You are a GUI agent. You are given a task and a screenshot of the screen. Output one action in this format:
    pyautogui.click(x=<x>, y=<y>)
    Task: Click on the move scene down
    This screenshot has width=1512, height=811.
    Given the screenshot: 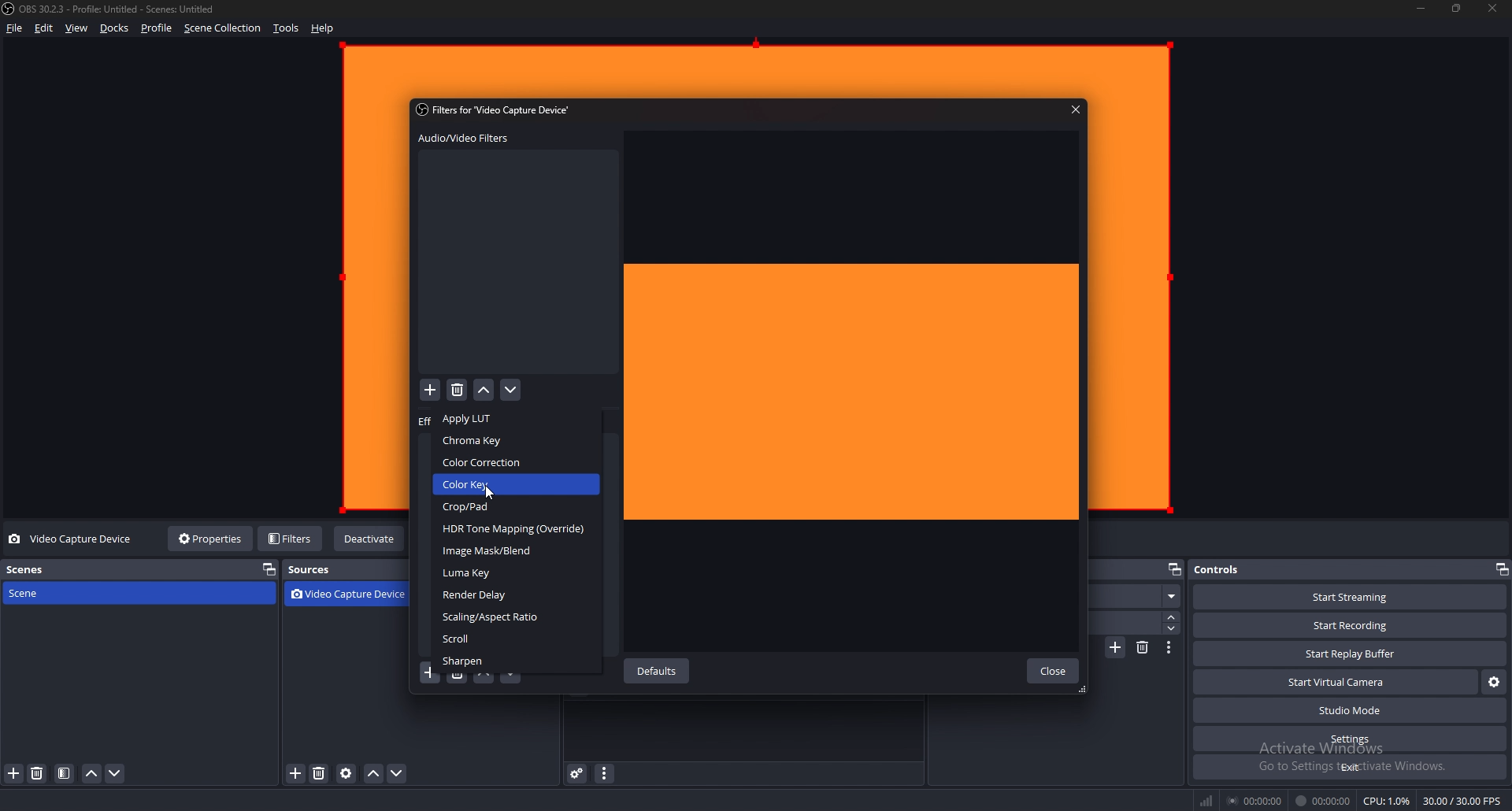 What is the action you would take?
    pyautogui.click(x=114, y=774)
    